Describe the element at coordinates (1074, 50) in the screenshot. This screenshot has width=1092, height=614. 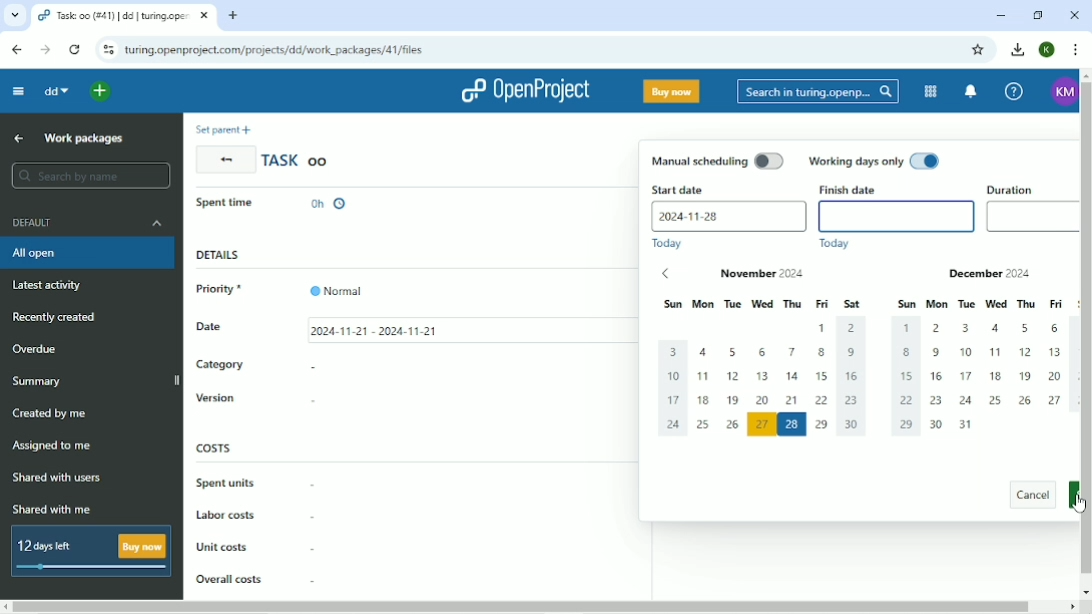
I see `Customize and control google chrome` at that location.